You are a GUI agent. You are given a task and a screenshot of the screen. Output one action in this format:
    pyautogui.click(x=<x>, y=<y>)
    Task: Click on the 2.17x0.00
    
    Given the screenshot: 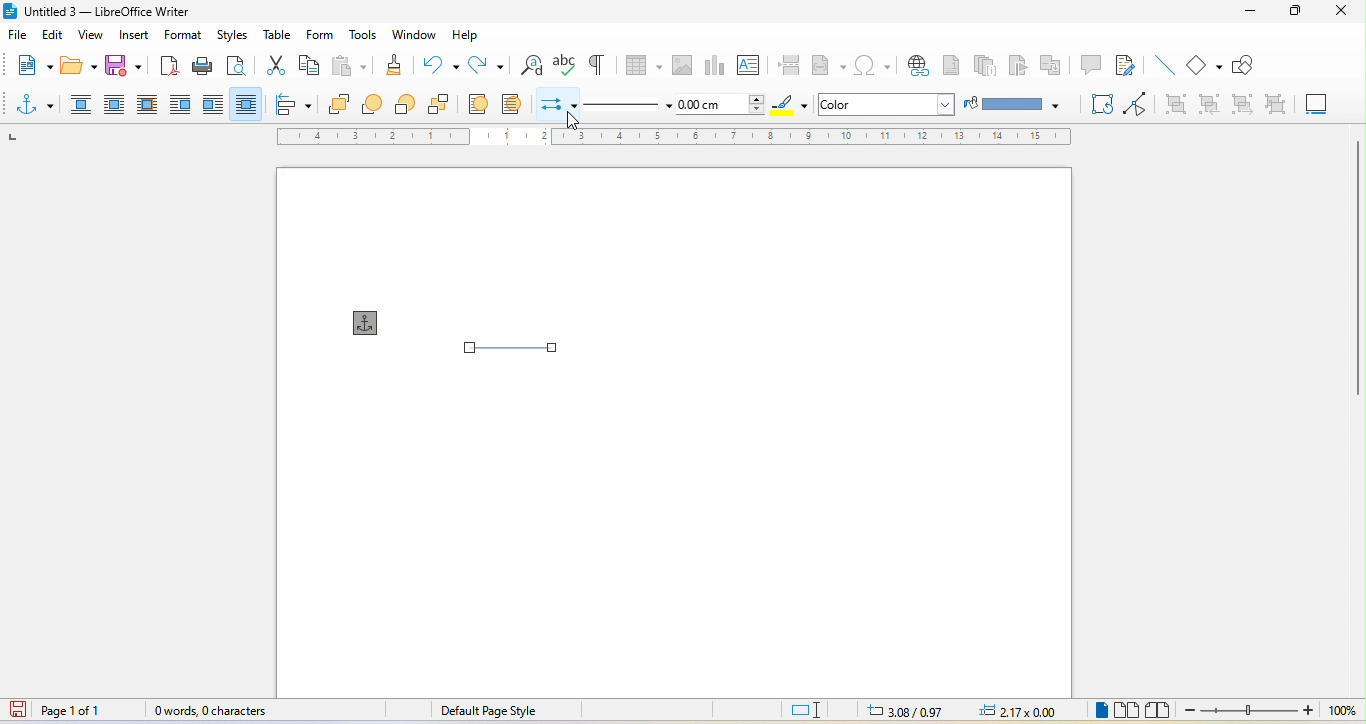 What is the action you would take?
    pyautogui.click(x=1014, y=712)
    